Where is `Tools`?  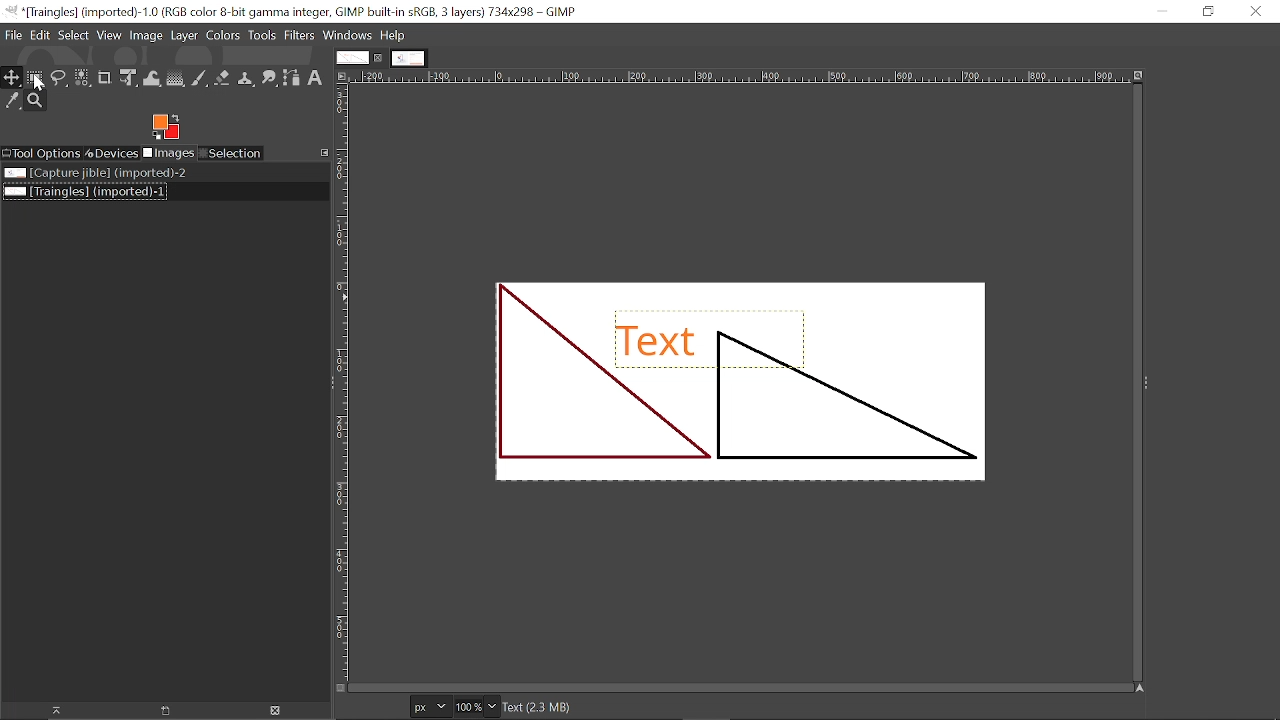 Tools is located at coordinates (262, 37).